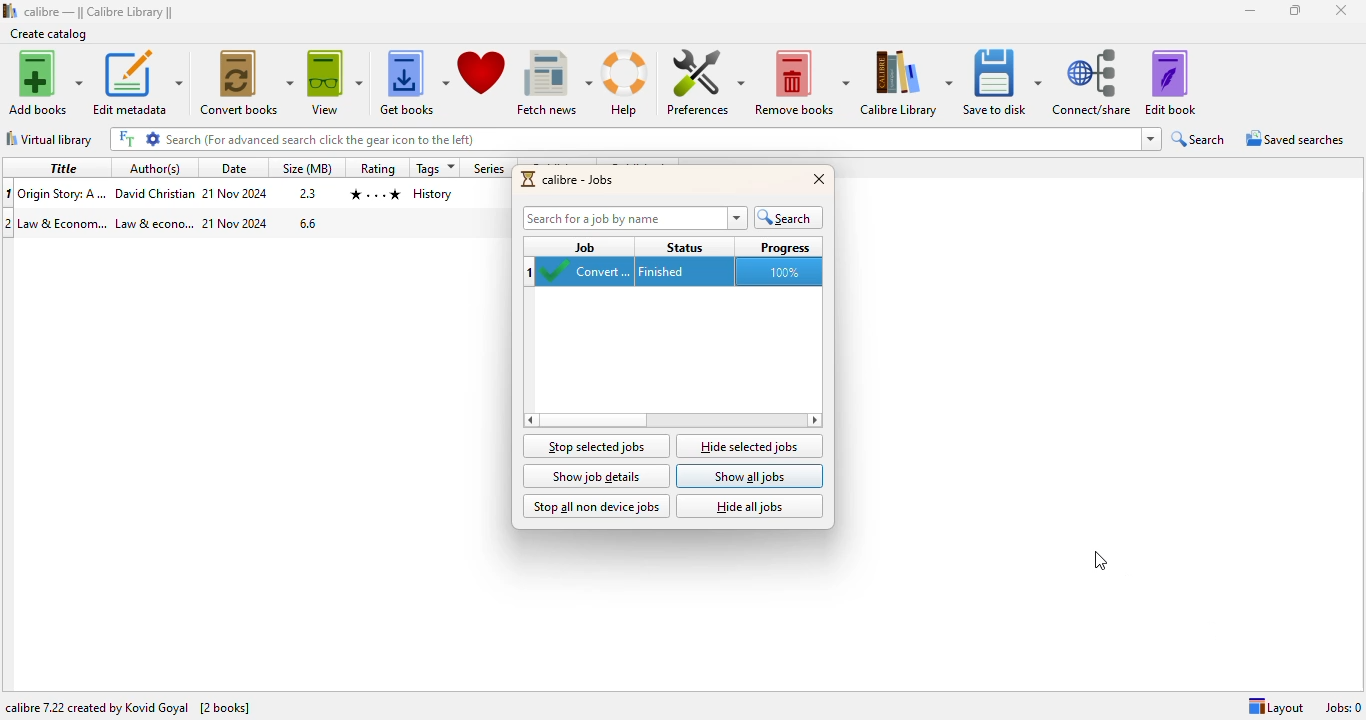 The image size is (1366, 720). I want to click on maximize, so click(1295, 9).